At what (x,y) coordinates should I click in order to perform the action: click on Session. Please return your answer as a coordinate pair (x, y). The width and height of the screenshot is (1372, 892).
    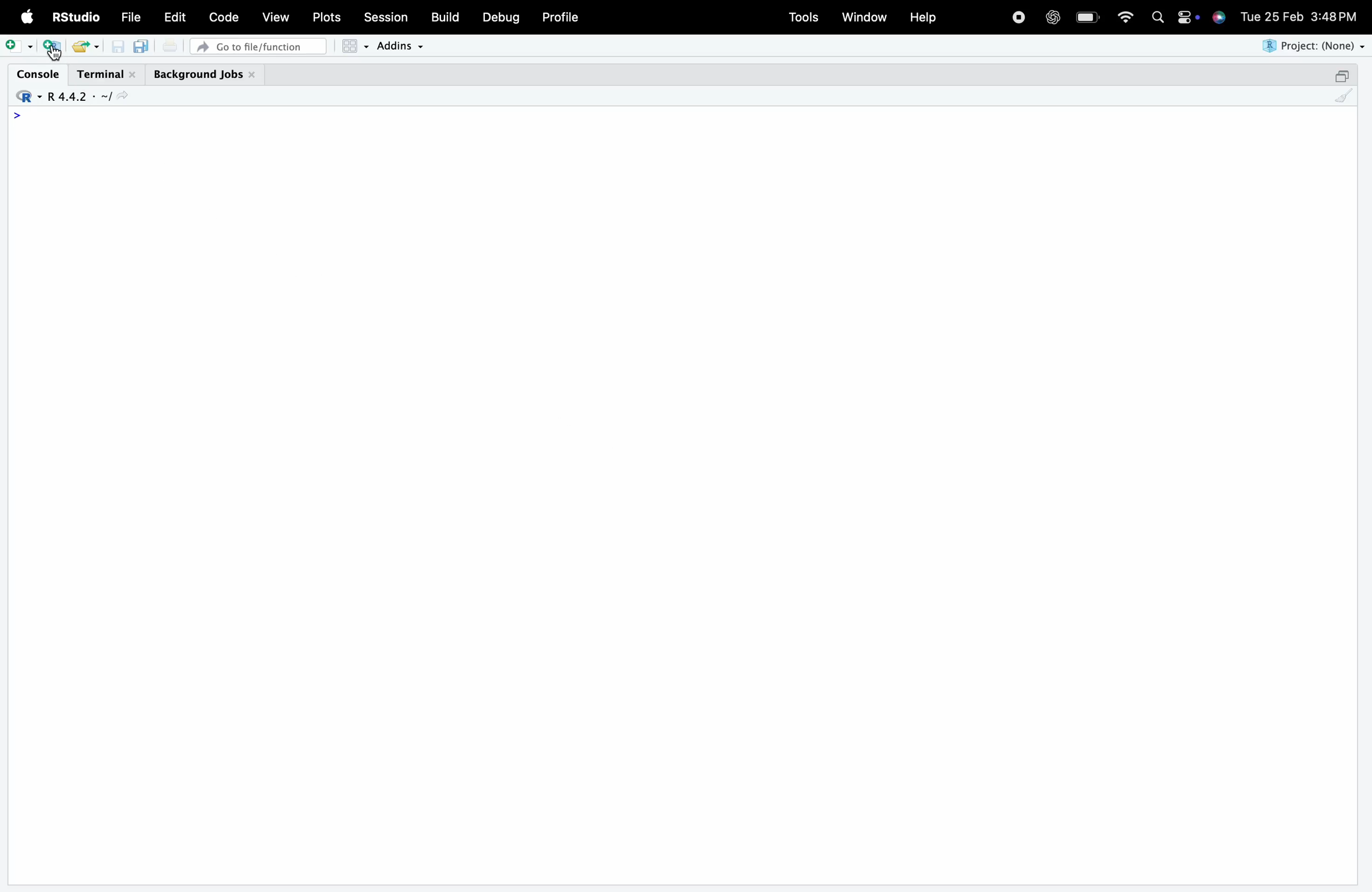
    Looking at the image, I should click on (386, 16).